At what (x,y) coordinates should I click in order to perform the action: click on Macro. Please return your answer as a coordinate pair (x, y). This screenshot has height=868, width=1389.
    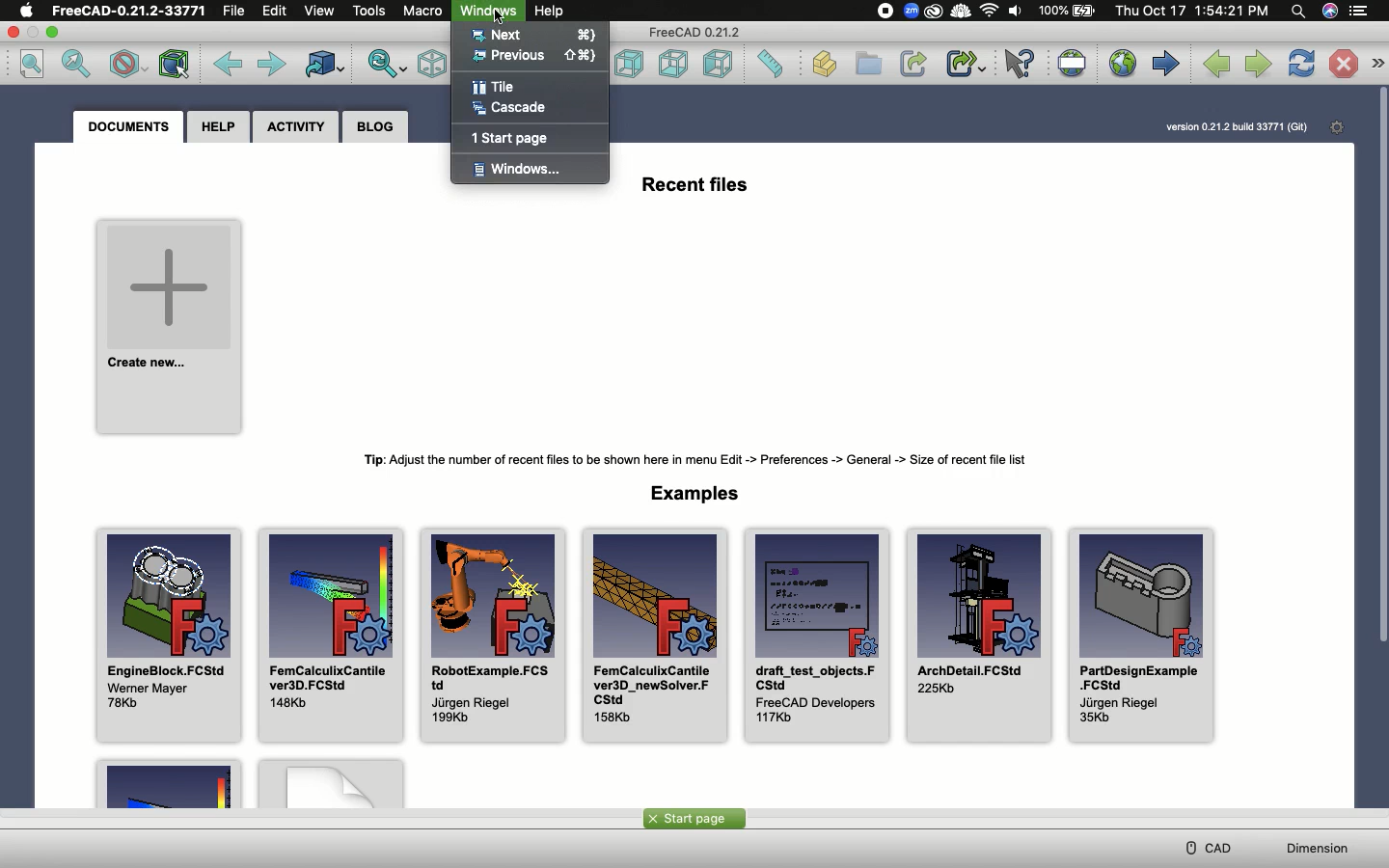
    Looking at the image, I should click on (423, 11).